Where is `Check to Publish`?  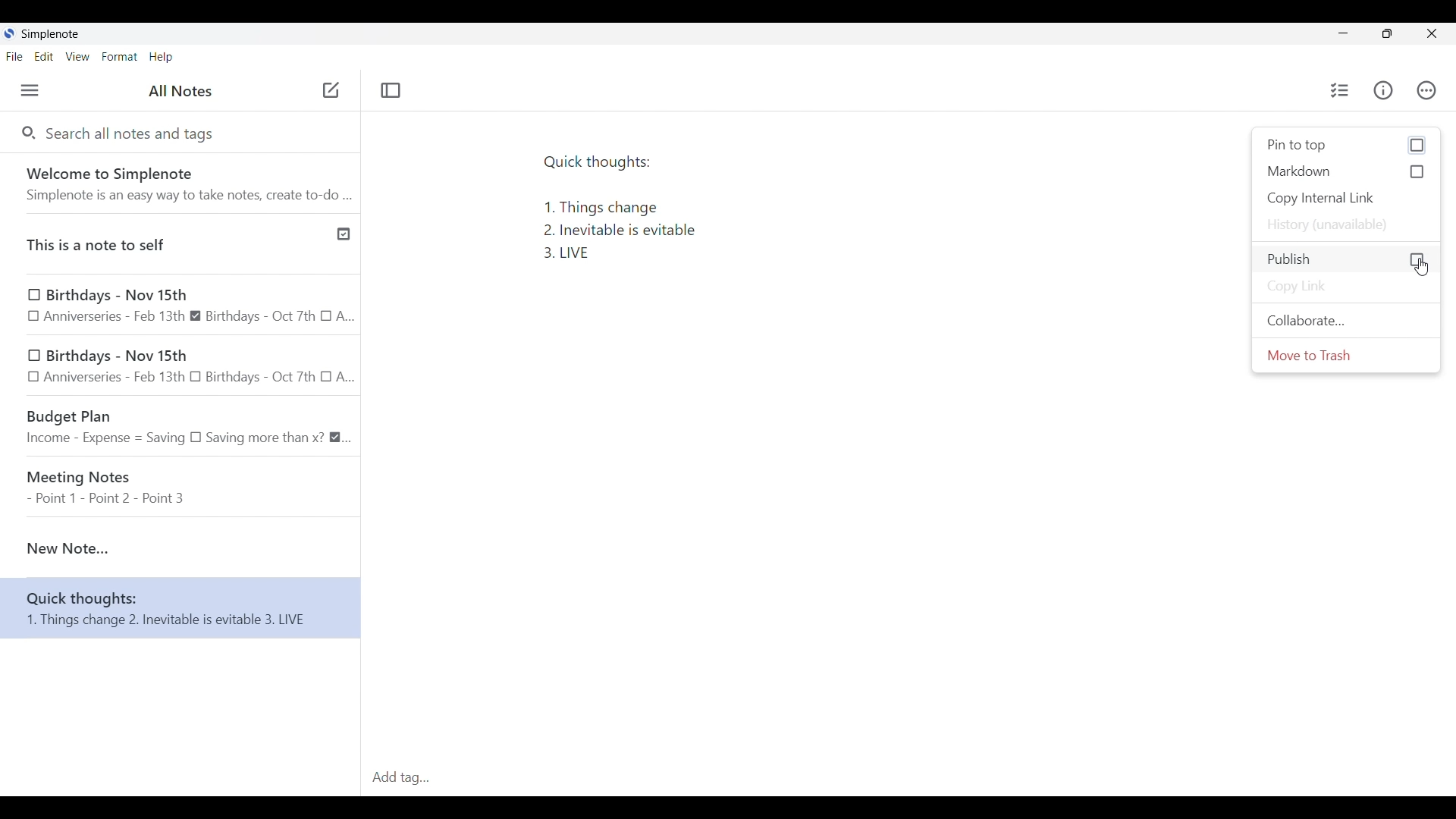 Check to Publish is located at coordinates (1345, 260).